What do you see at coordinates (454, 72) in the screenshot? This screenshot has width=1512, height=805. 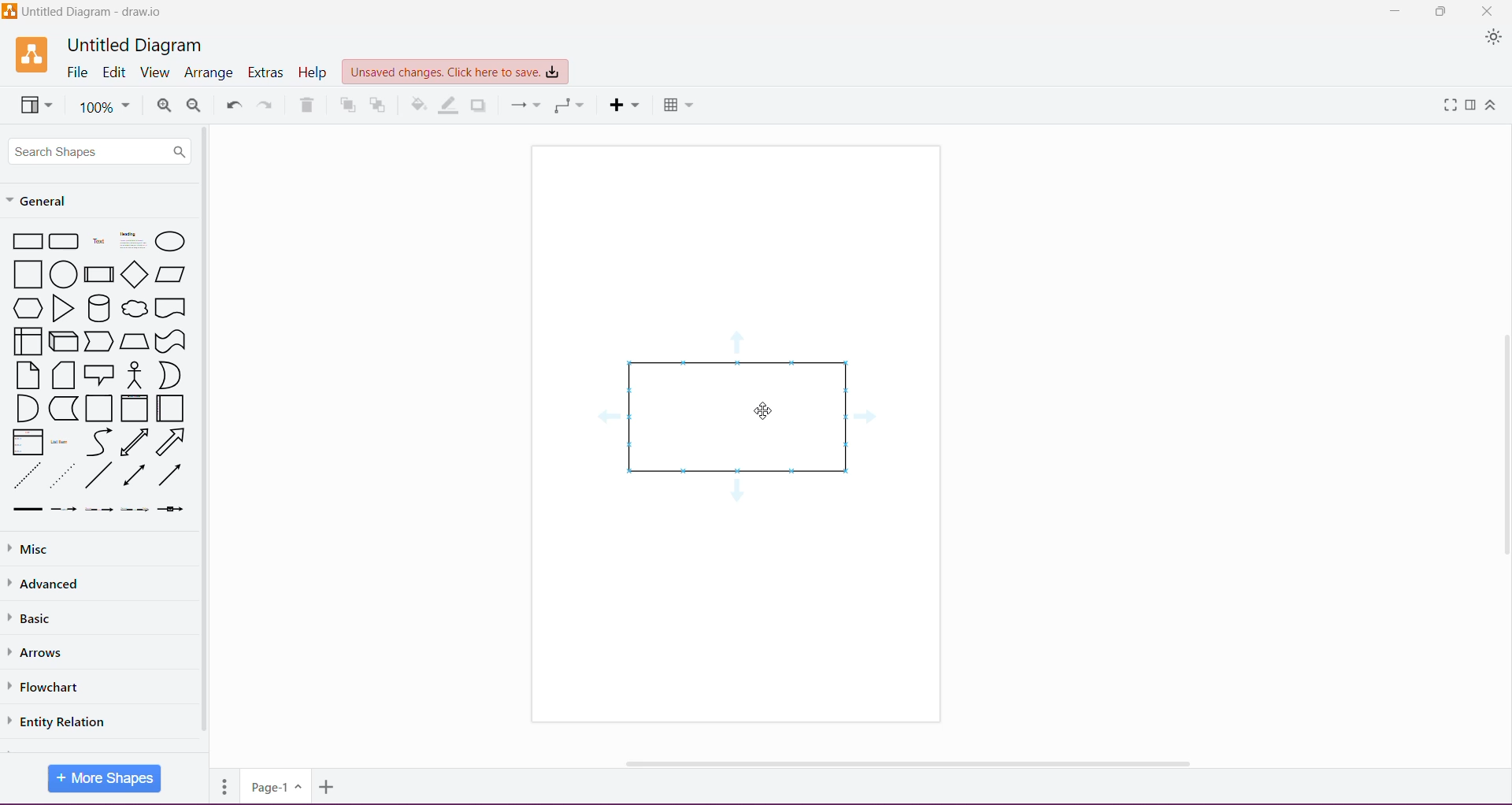 I see `Unsaved Changes. Click here to save.` at bounding box center [454, 72].